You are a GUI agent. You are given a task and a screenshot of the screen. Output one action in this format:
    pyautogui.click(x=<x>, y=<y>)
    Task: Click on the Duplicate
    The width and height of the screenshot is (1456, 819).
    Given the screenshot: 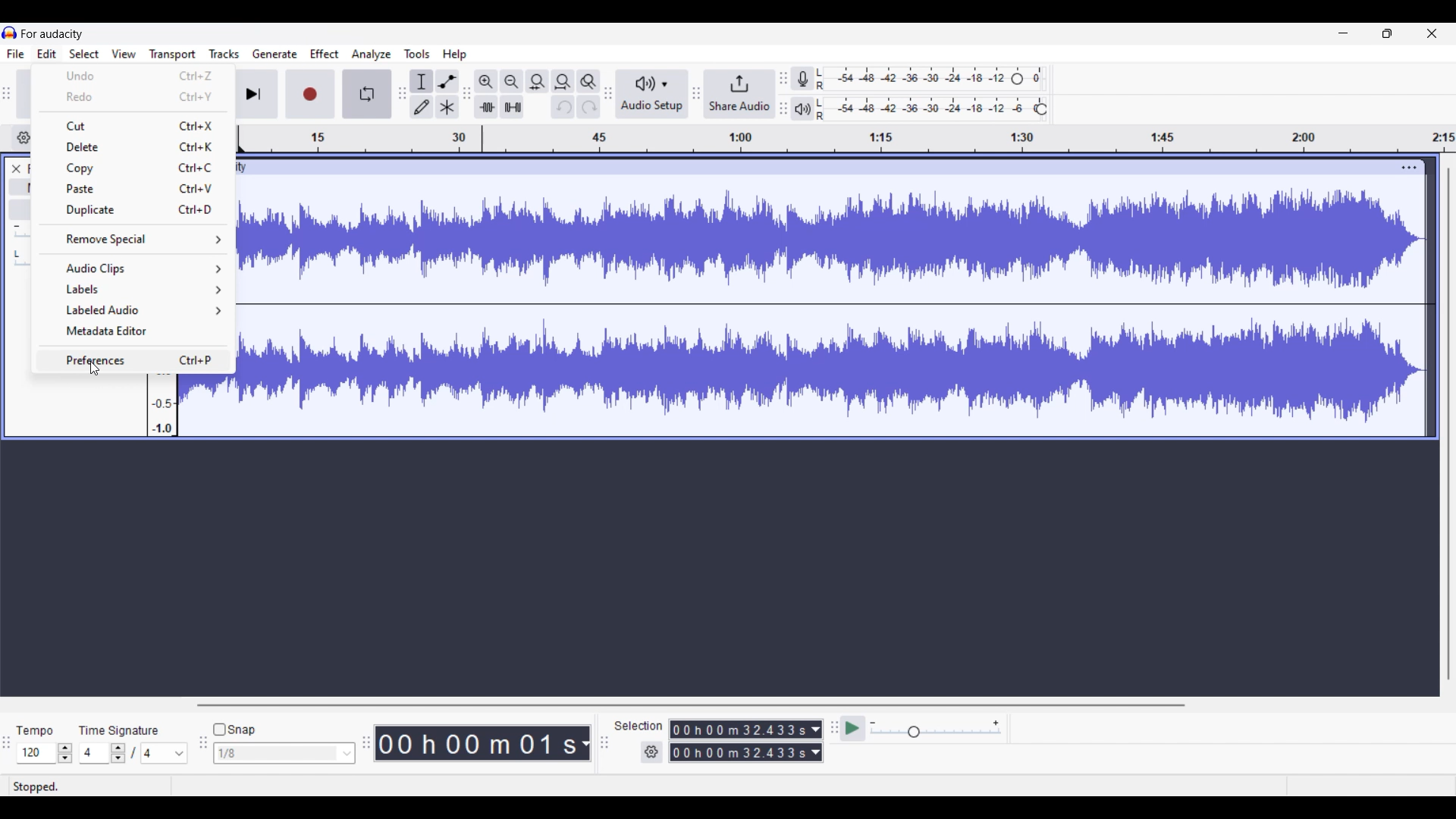 What is the action you would take?
    pyautogui.click(x=135, y=211)
    